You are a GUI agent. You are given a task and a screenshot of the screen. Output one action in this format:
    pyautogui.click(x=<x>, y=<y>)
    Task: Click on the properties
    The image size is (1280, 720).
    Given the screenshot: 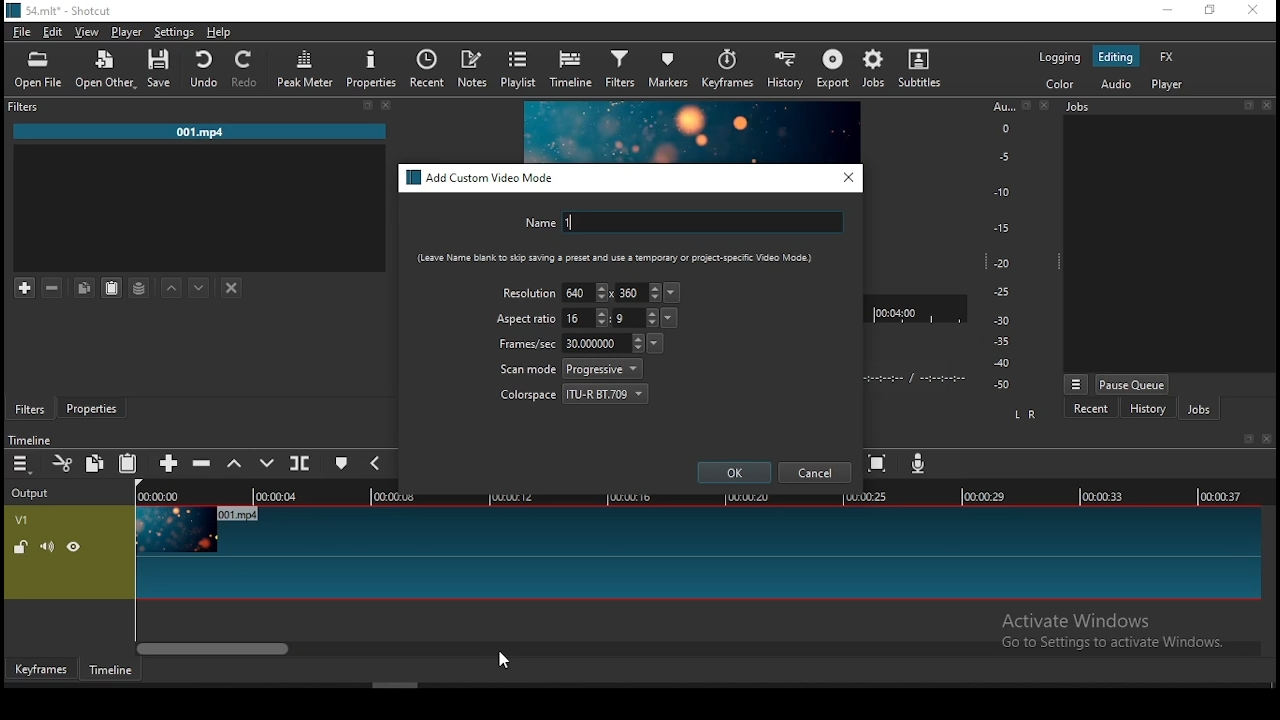 What is the action you would take?
    pyautogui.click(x=373, y=68)
    